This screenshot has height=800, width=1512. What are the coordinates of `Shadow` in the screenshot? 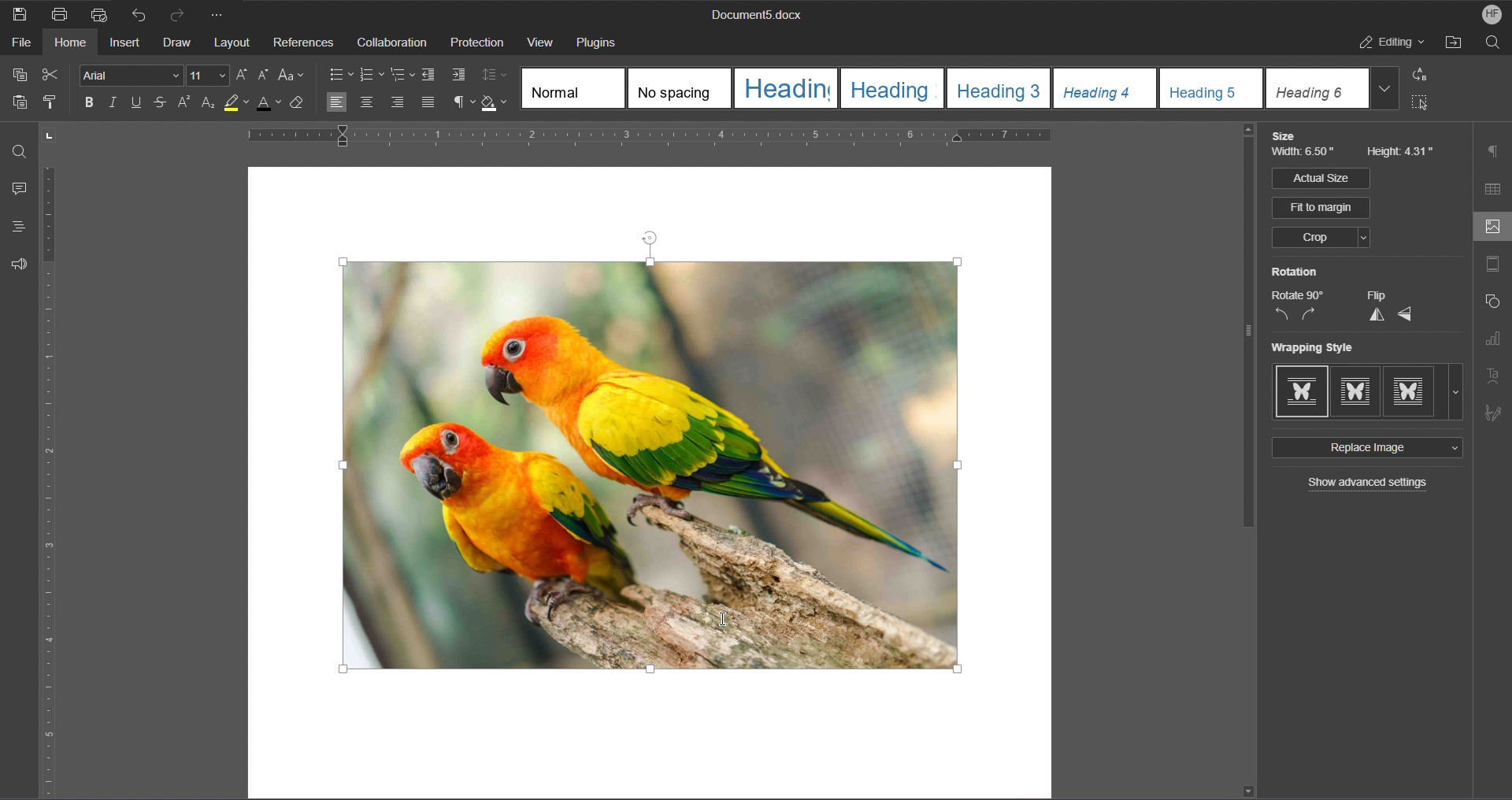 It's located at (497, 103).